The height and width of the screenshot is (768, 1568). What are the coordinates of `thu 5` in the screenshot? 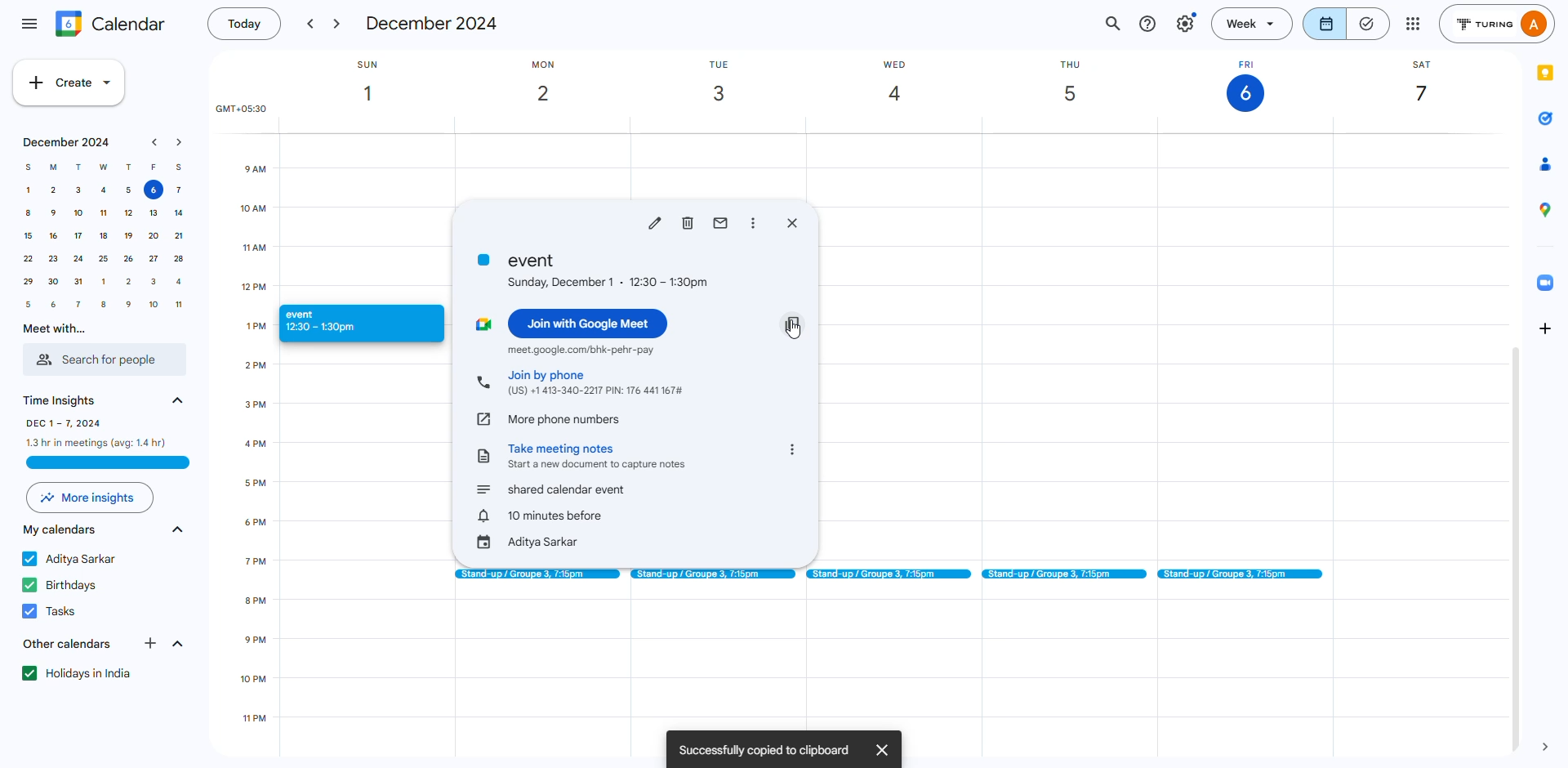 It's located at (1083, 83).